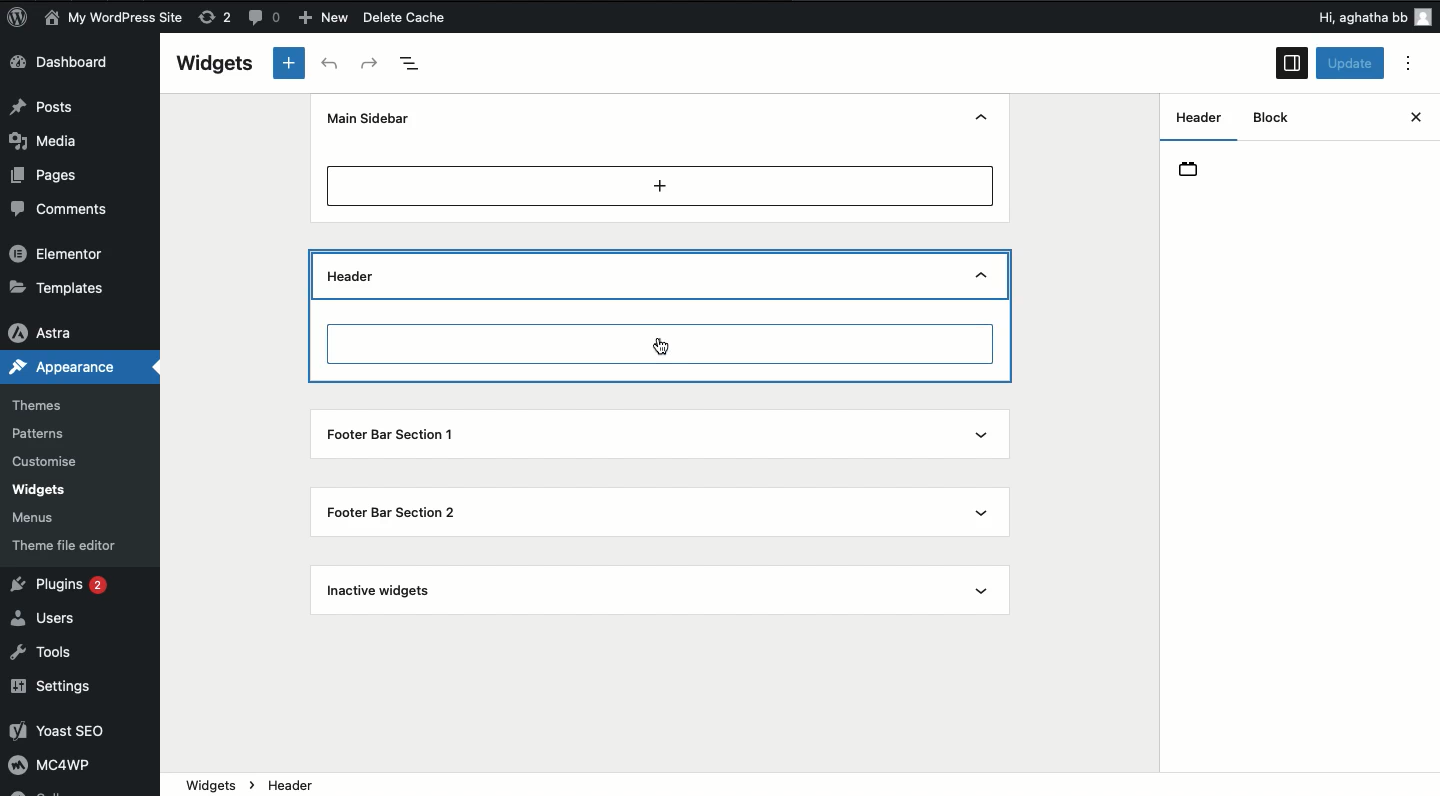 The height and width of the screenshot is (796, 1440). What do you see at coordinates (56, 139) in the screenshot?
I see ` Media` at bounding box center [56, 139].